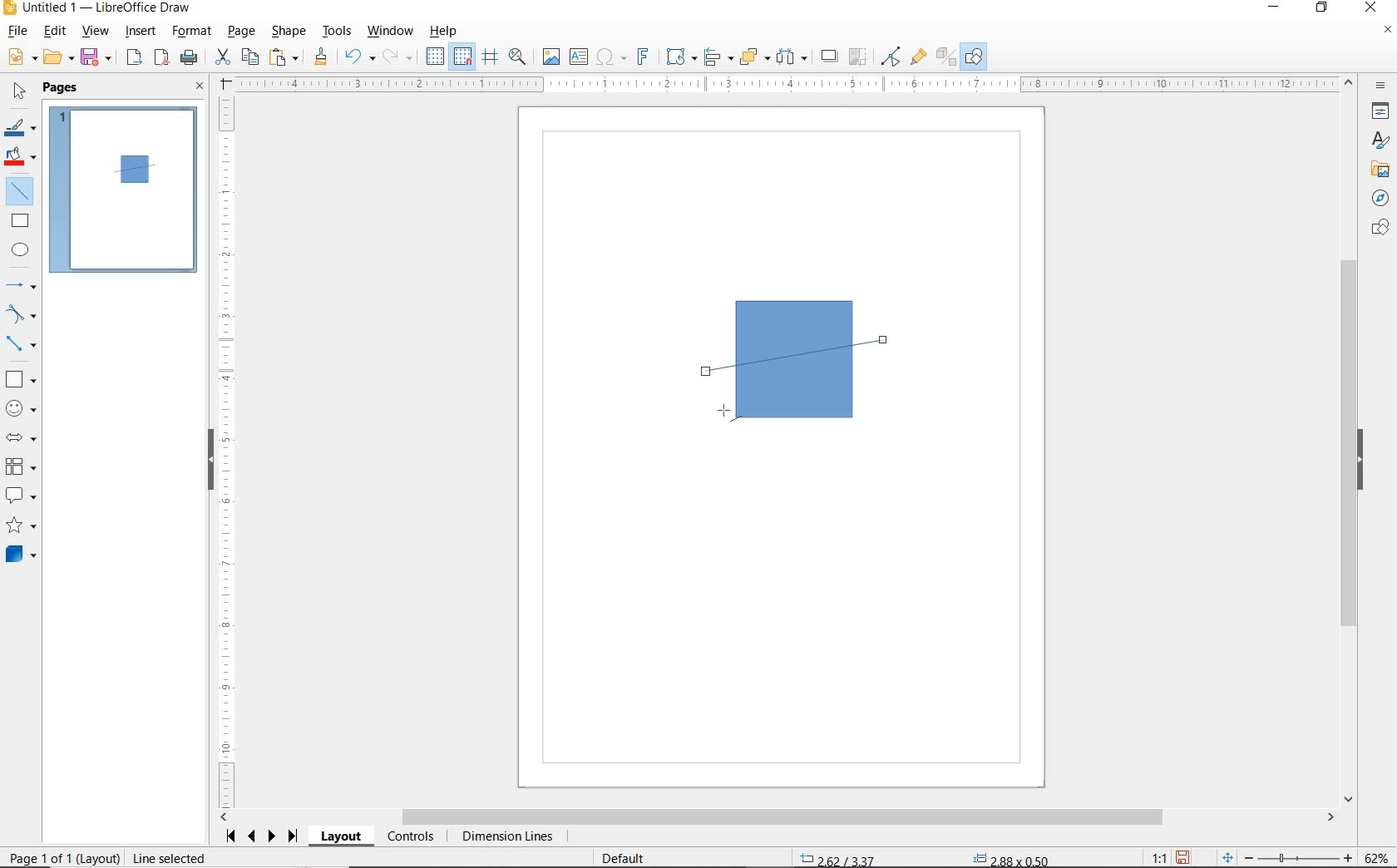  What do you see at coordinates (141, 32) in the screenshot?
I see `INSERT` at bounding box center [141, 32].